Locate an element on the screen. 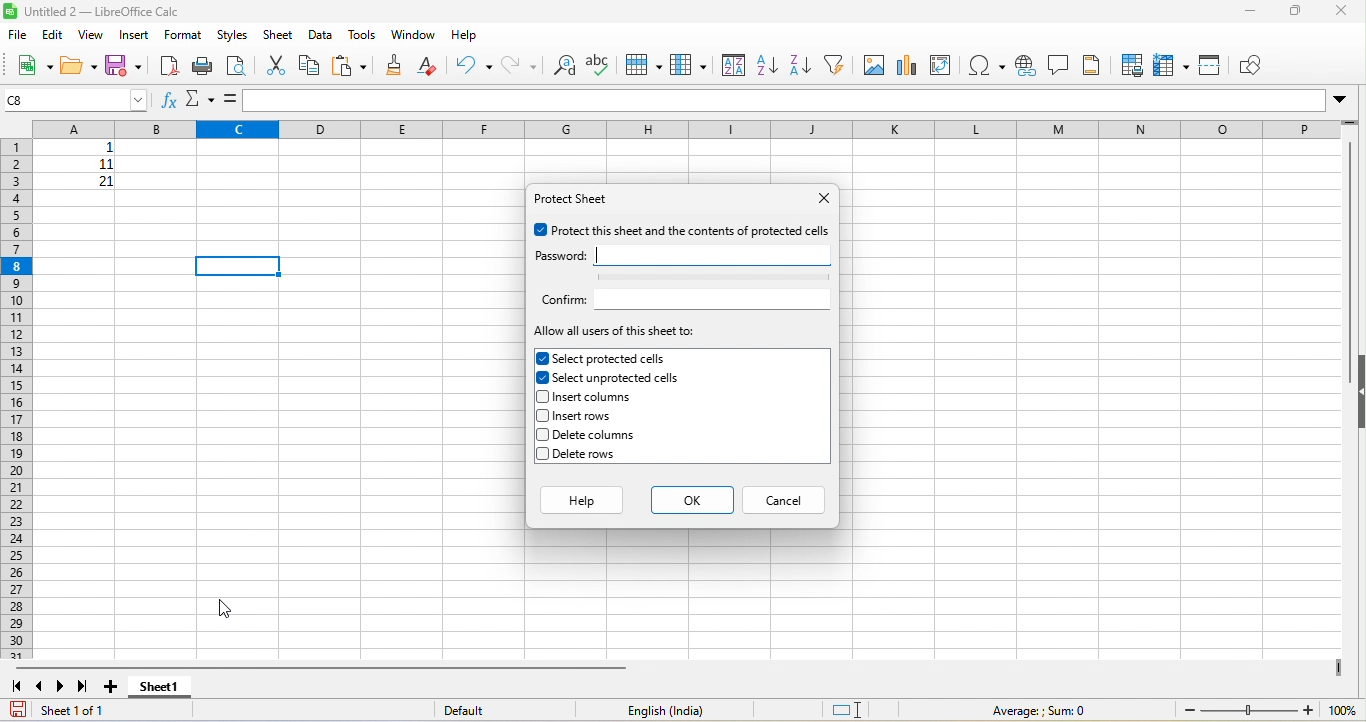 The width and height of the screenshot is (1366, 722). function wizard is located at coordinates (169, 102).